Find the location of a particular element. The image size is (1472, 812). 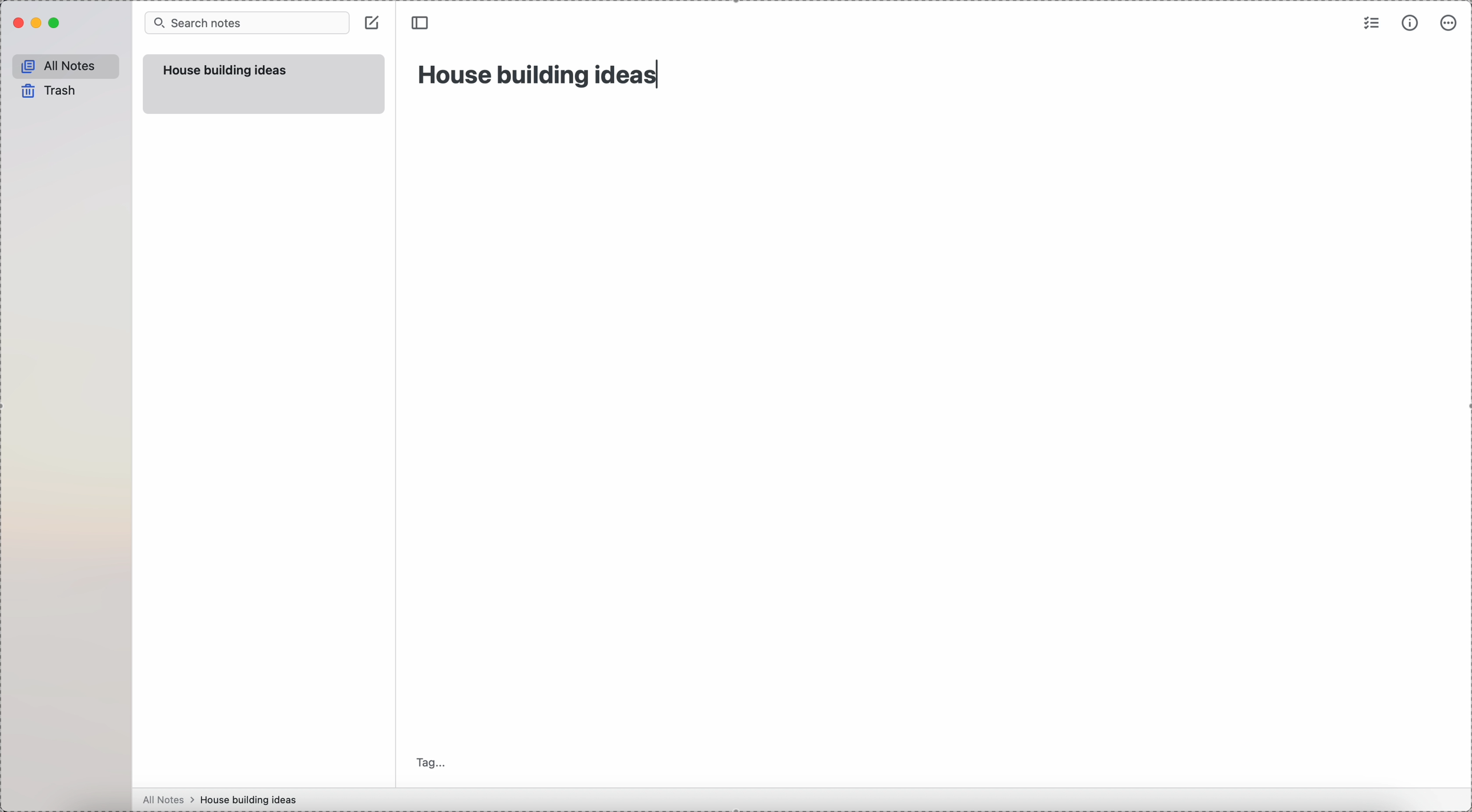

maximize Simplenote is located at coordinates (58, 23).